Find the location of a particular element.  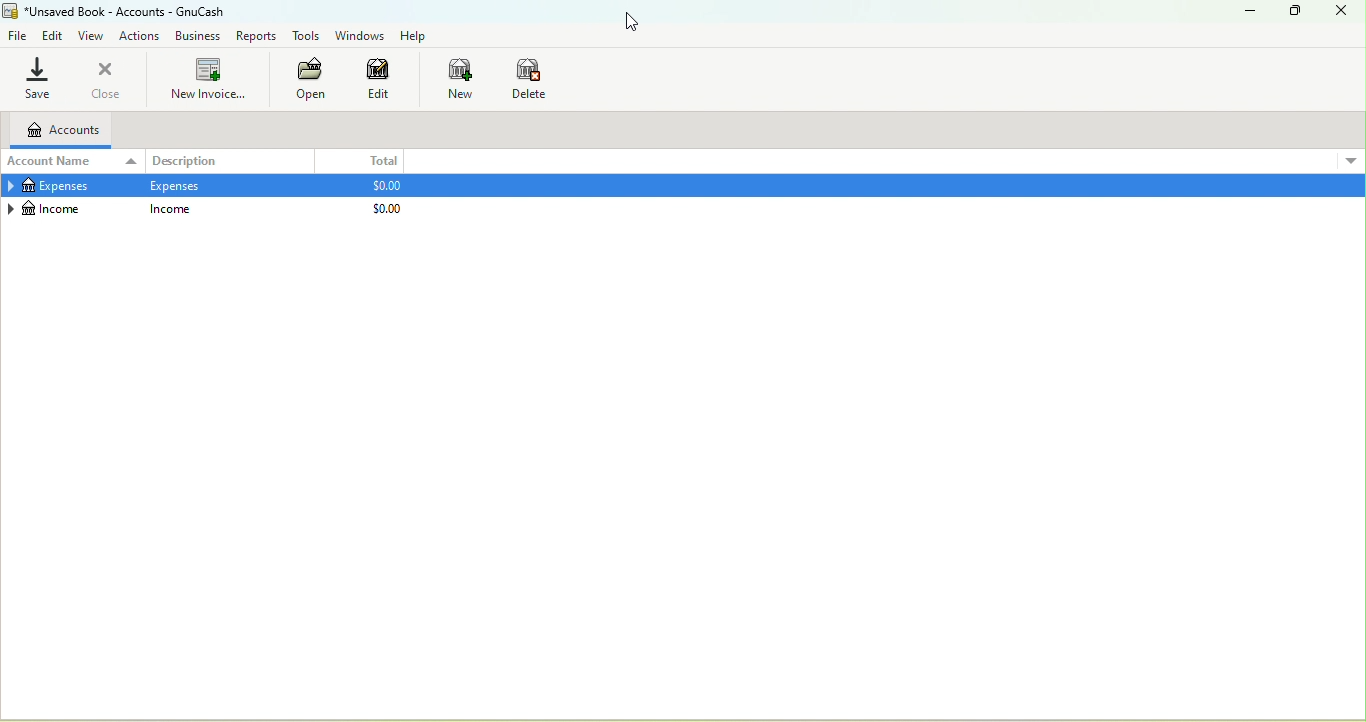

Edit is located at coordinates (53, 36).